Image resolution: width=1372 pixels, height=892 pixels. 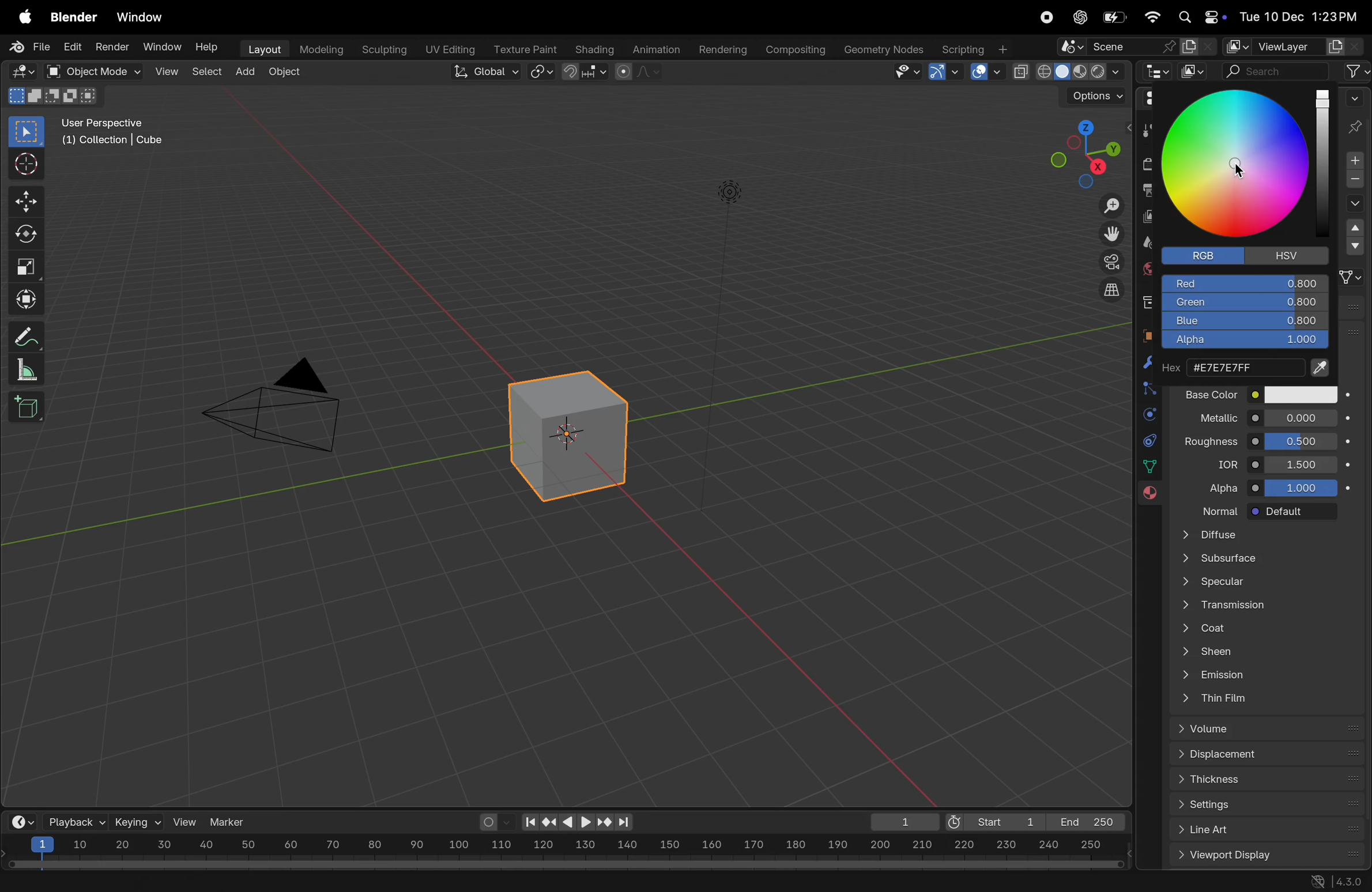 What do you see at coordinates (1078, 153) in the screenshot?
I see `view point` at bounding box center [1078, 153].